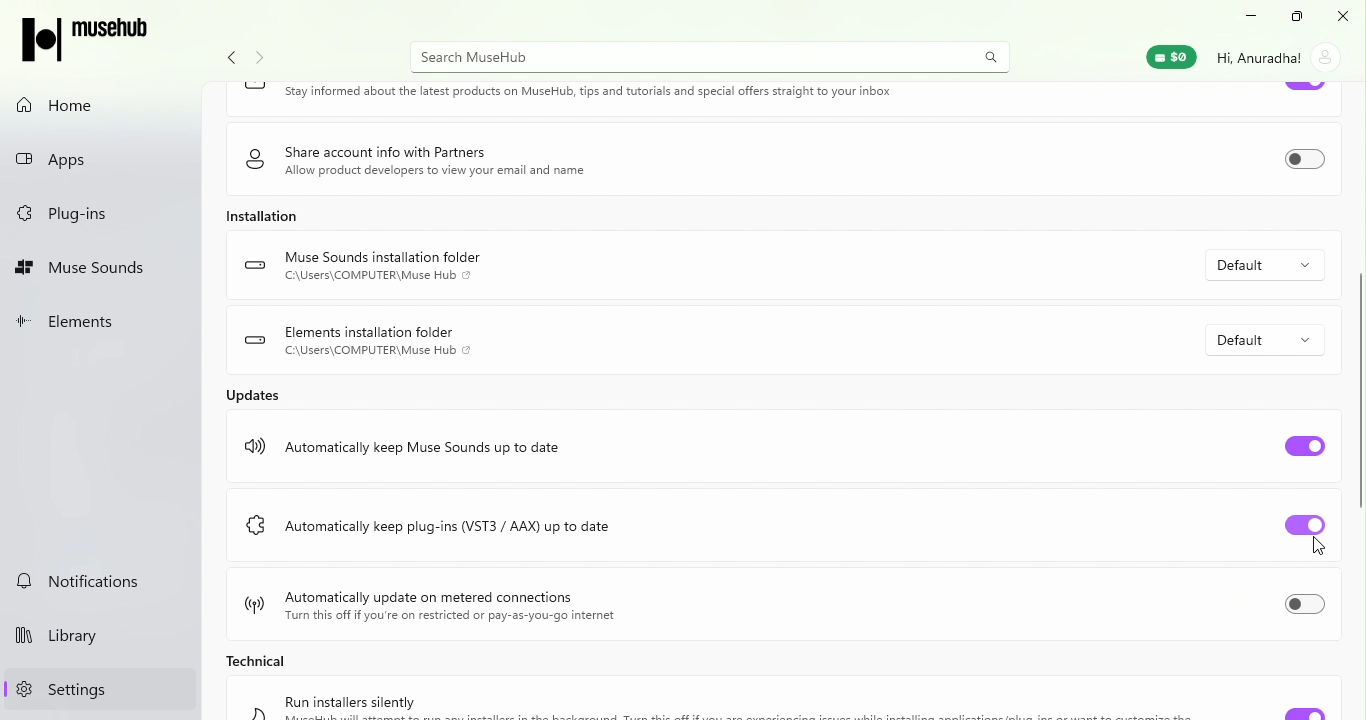 Image resolution: width=1366 pixels, height=720 pixels. I want to click on Toggle, so click(1304, 603).